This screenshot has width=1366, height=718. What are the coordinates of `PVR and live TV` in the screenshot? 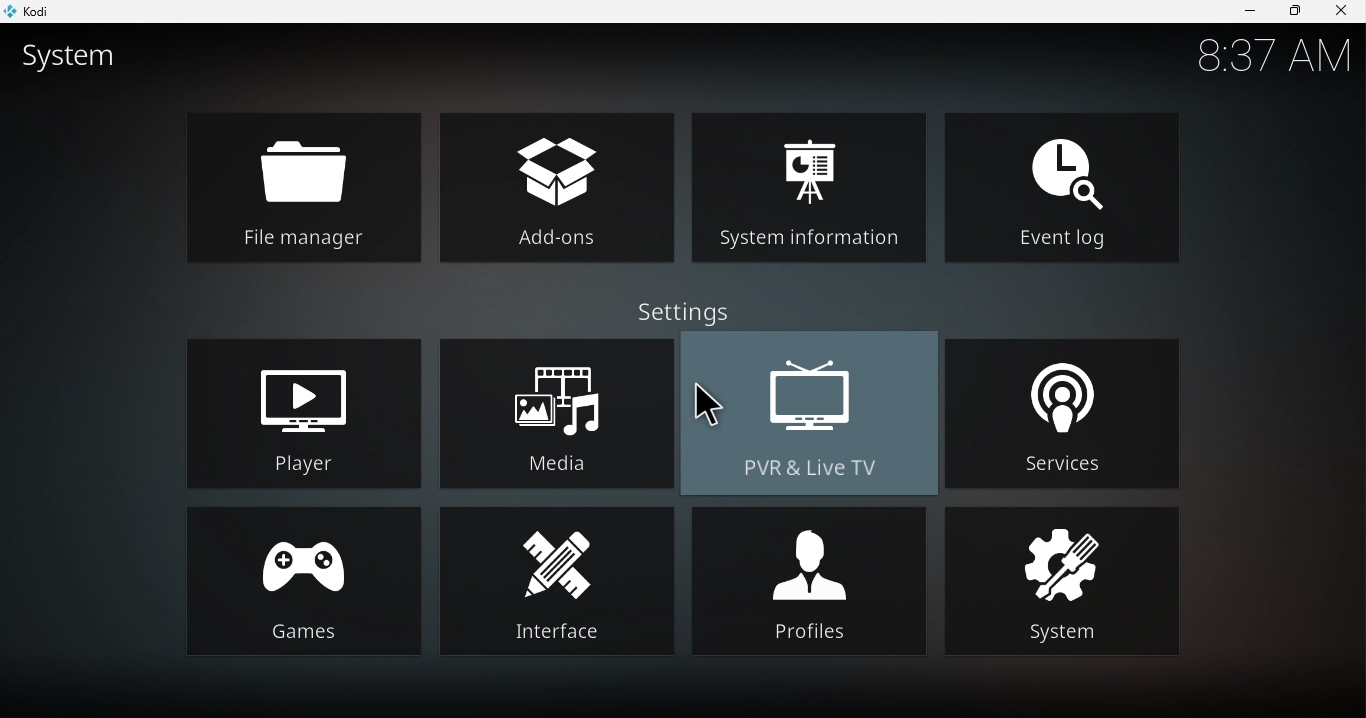 It's located at (813, 412).